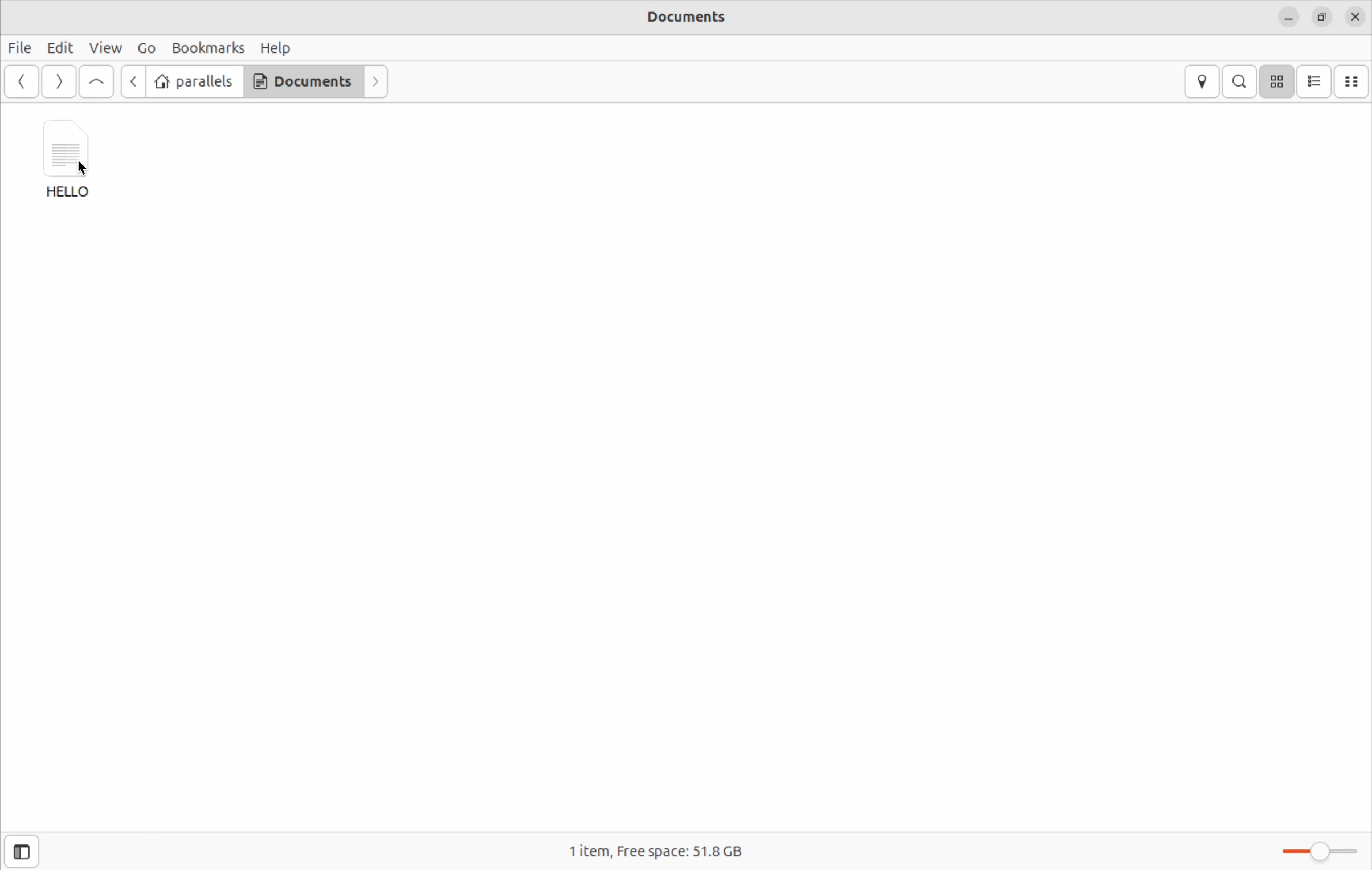  Describe the element at coordinates (301, 80) in the screenshot. I see `Documents` at that location.